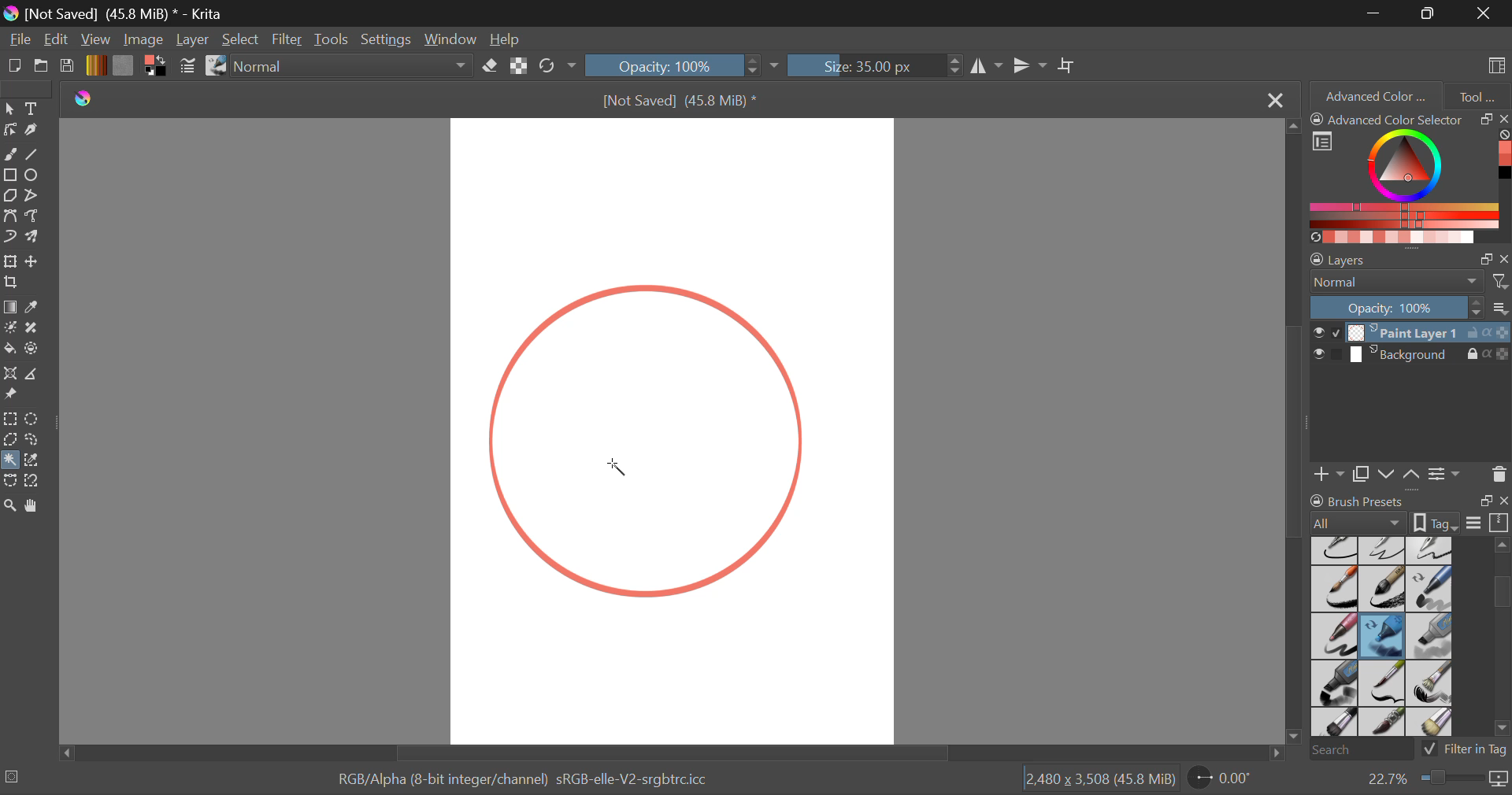  I want to click on Freehand Path Tool, so click(32, 215).